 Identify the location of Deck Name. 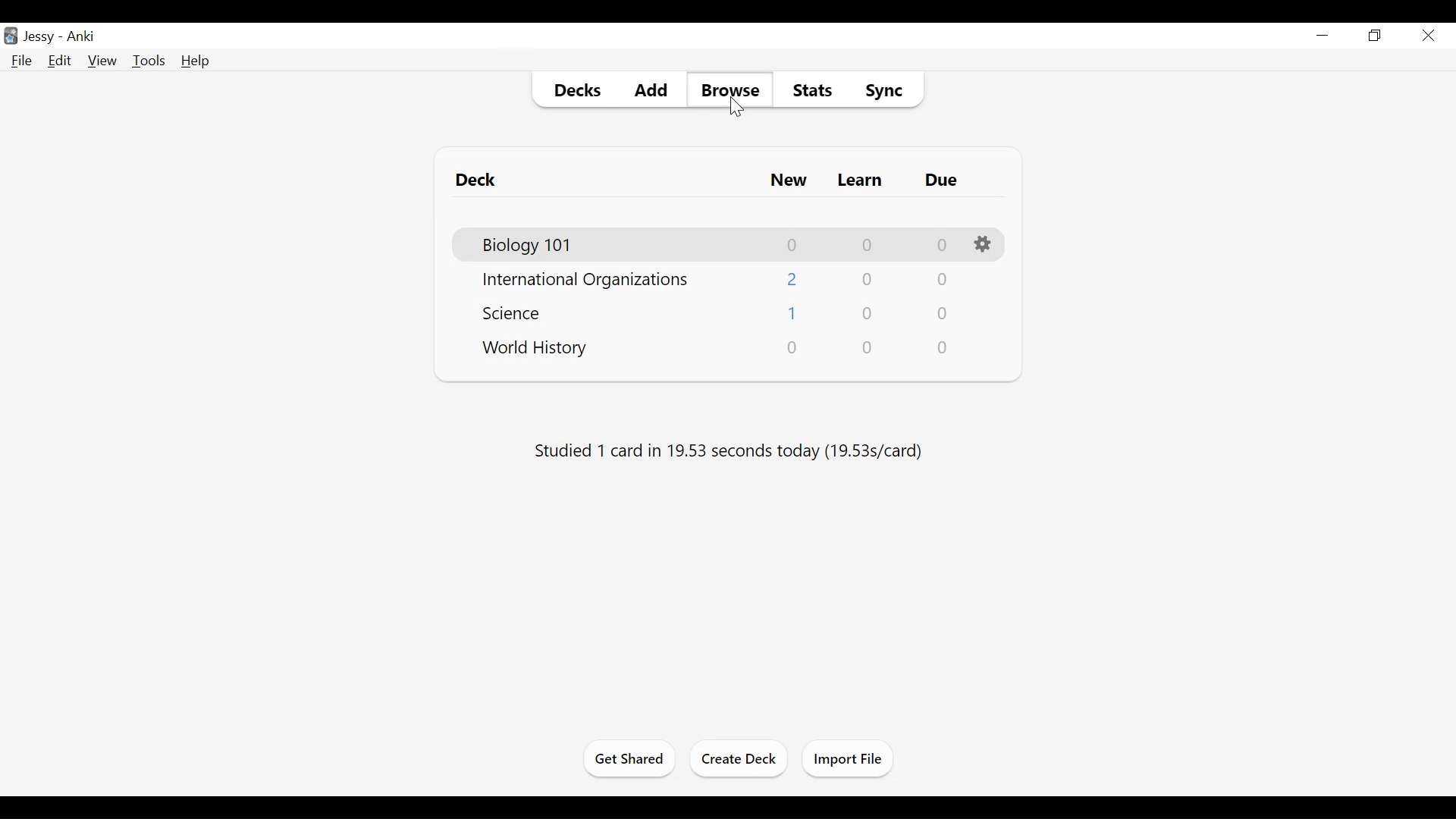
(515, 314).